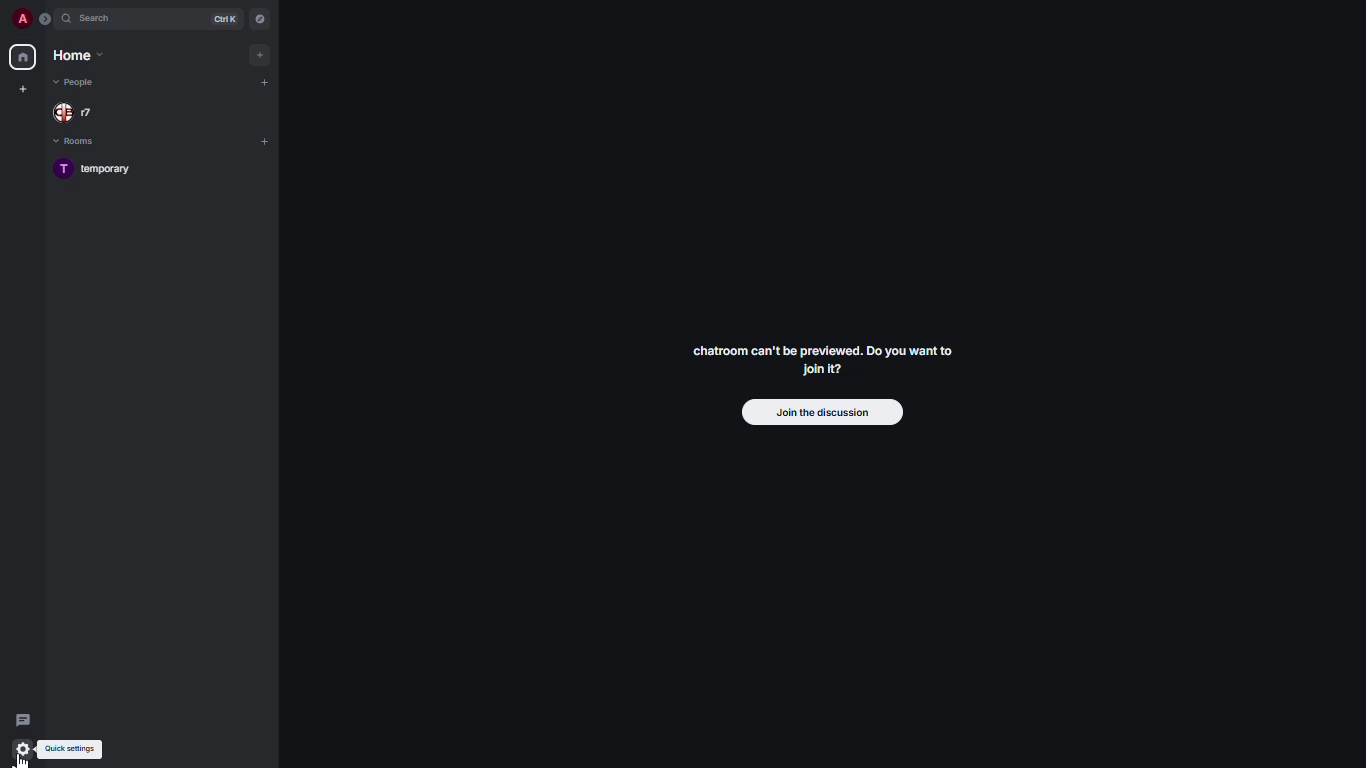  What do you see at coordinates (71, 112) in the screenshot?
I see `people` at bounding box center [71, 112].